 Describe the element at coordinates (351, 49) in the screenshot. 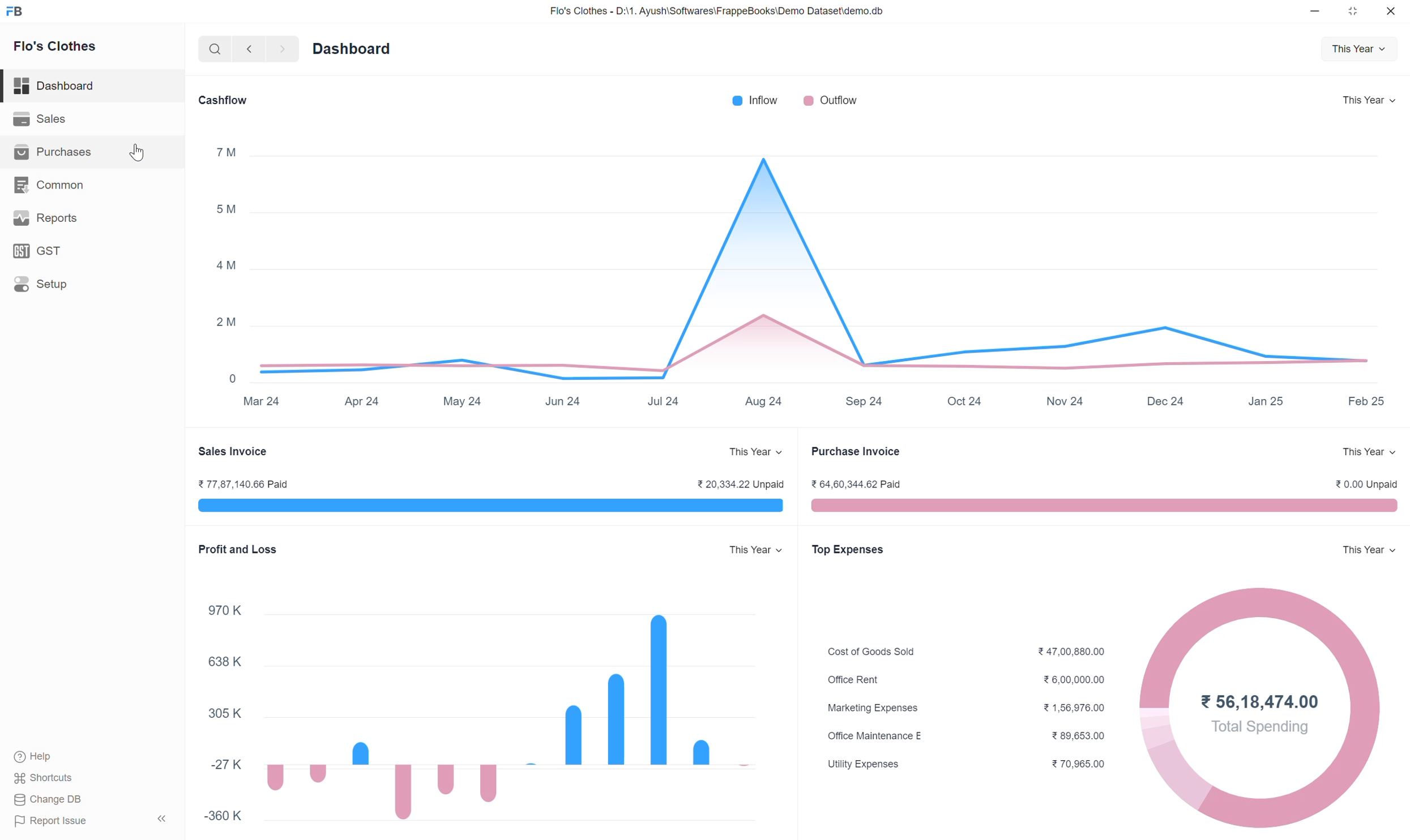

I see `Dashboard` at that location.